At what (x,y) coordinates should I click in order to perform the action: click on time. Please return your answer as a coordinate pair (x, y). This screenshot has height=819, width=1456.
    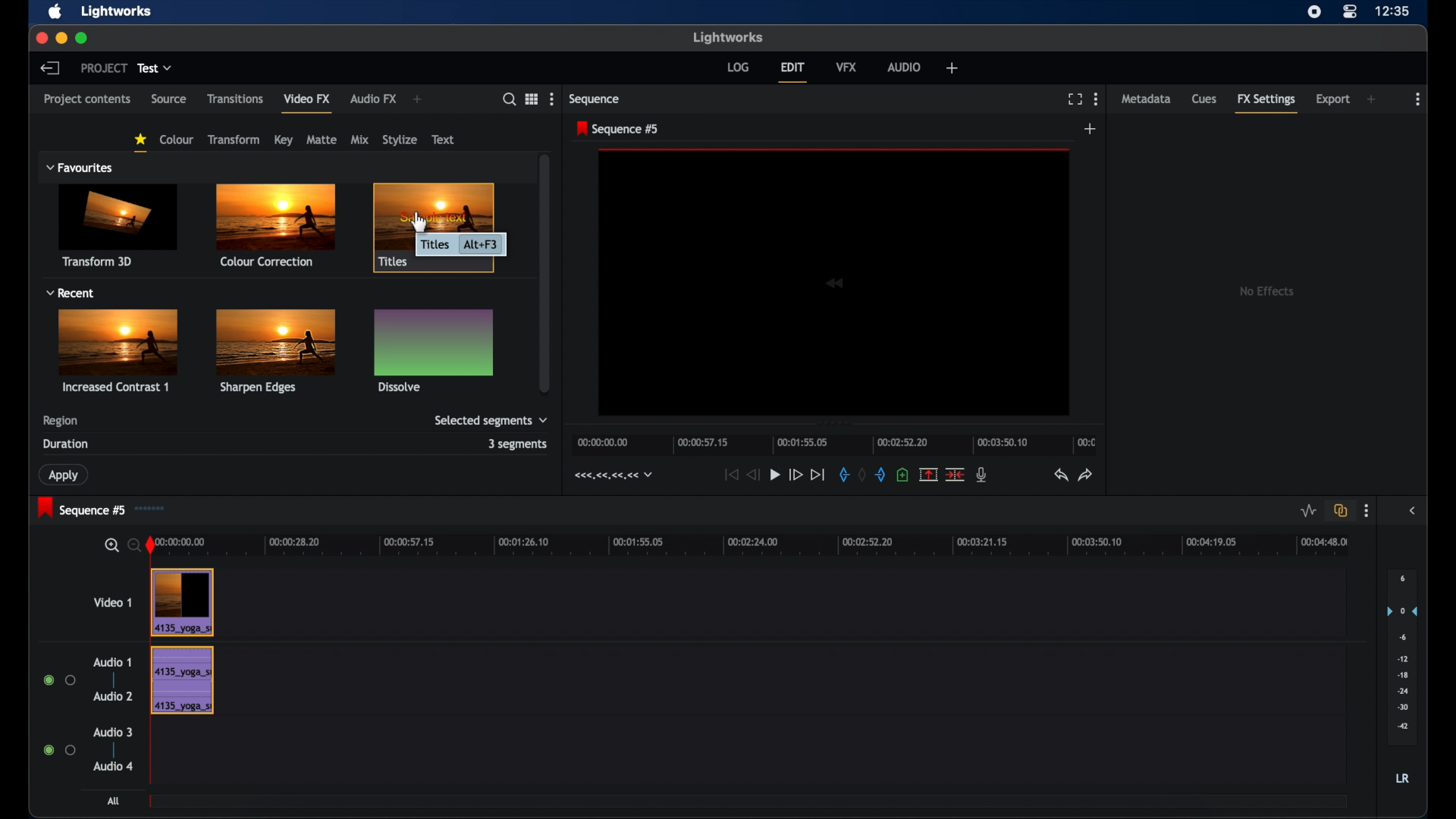
    Looking at the image, I should click on (1394, 12).